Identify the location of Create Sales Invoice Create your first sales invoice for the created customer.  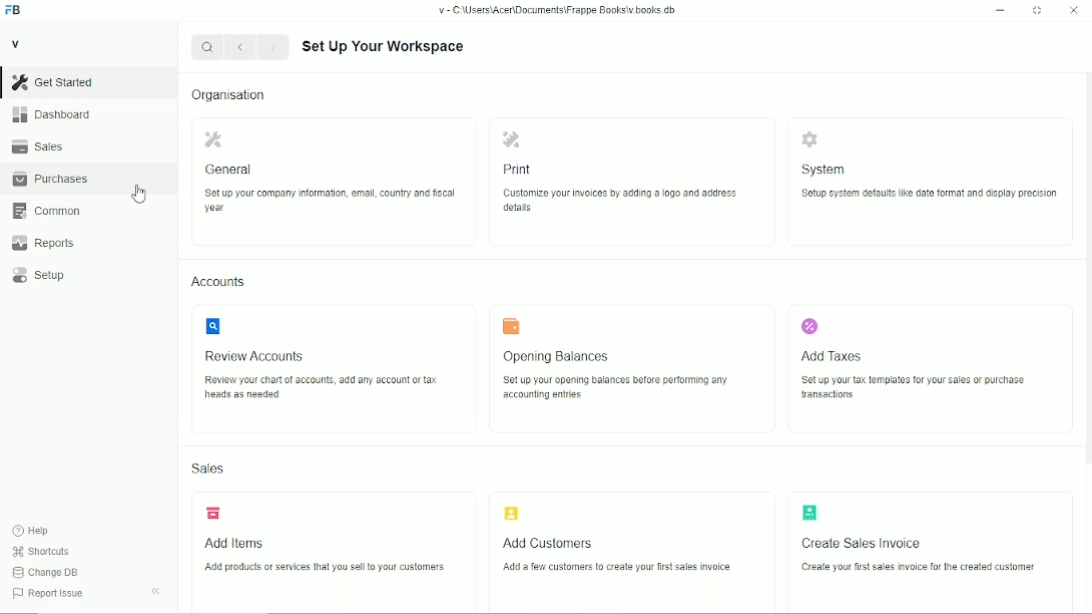
(930, 552).